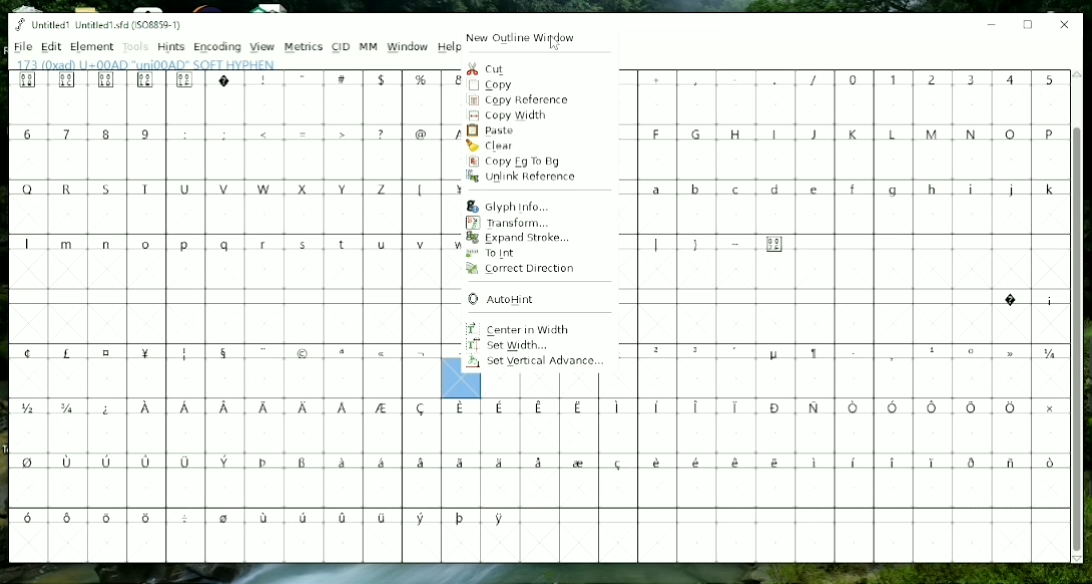 The image size is (1092, 584). I want to click on Cut, so click(489, 68).